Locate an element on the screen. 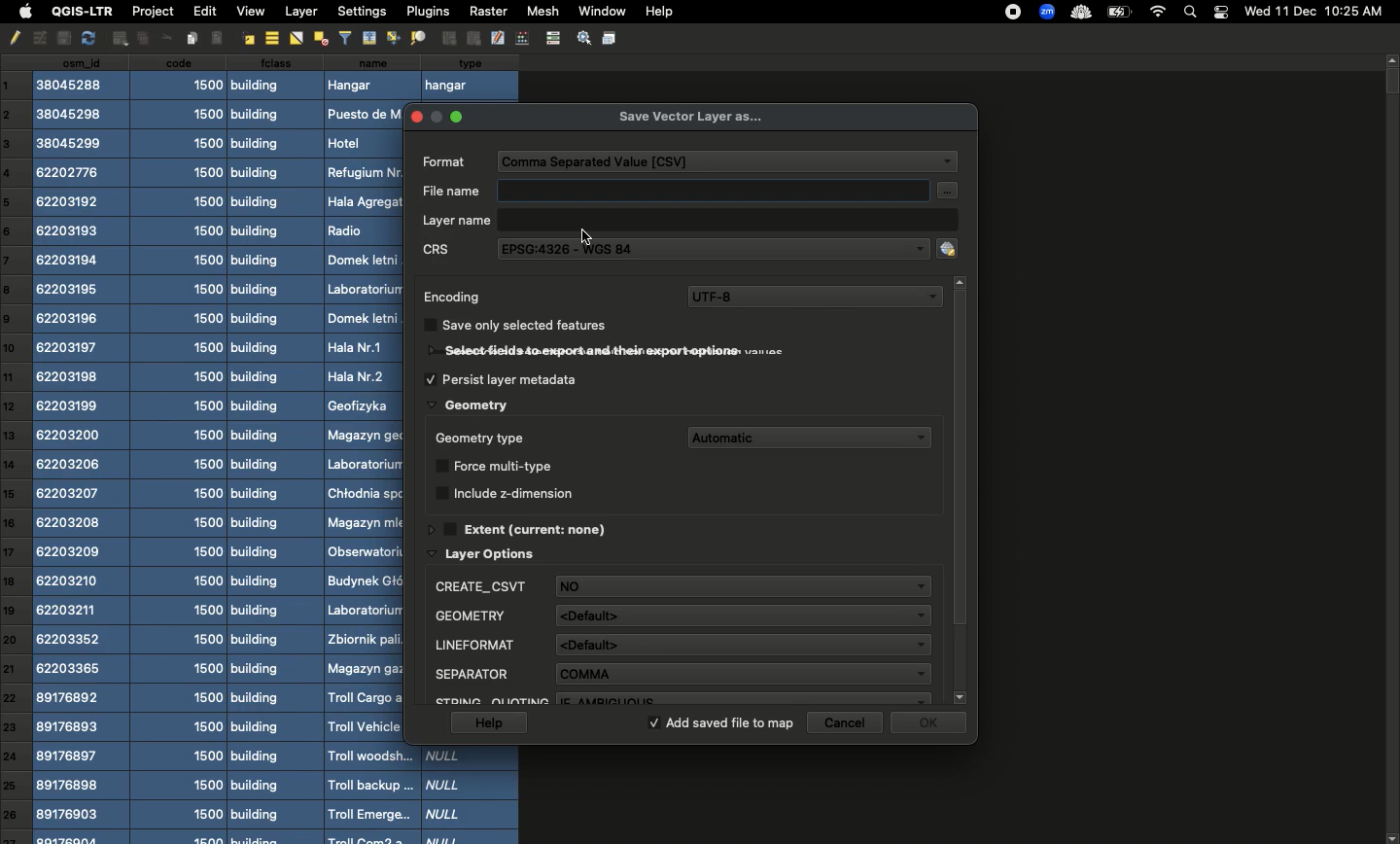 Image resolution: width=1400 pixels, height=844 pixels. Cancel is located at coordinates (849, 722).